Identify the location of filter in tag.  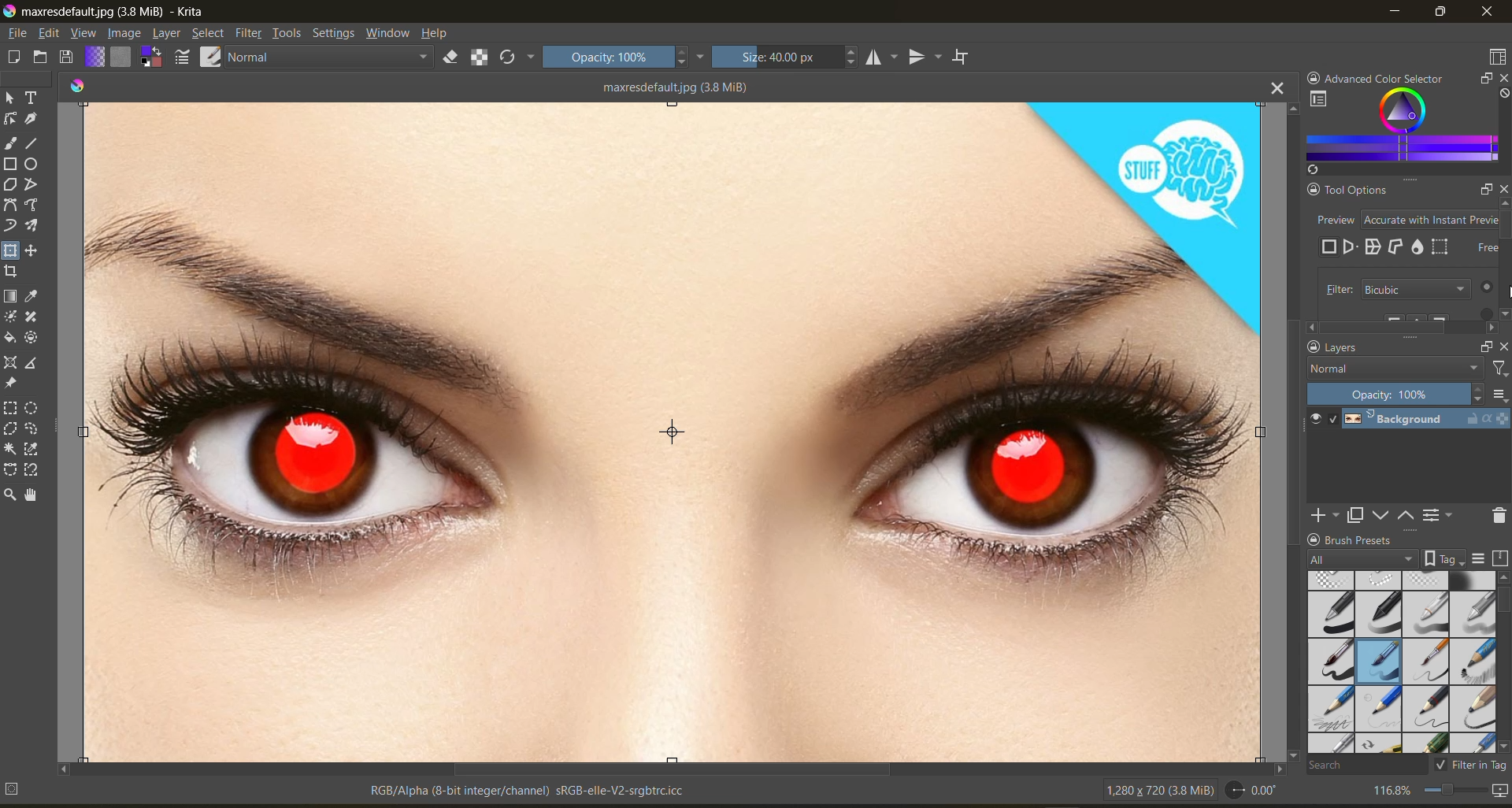
(1473, 766).